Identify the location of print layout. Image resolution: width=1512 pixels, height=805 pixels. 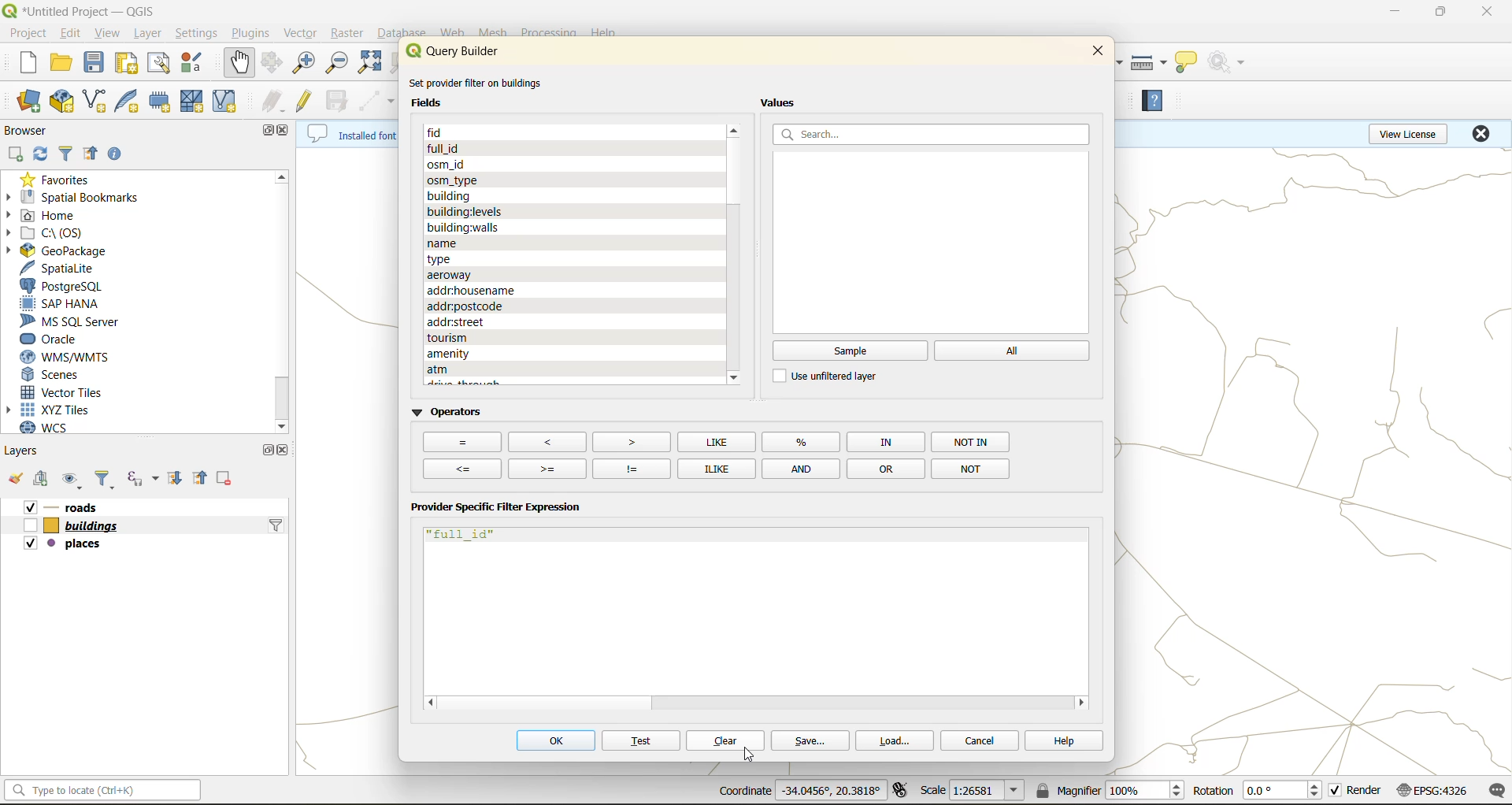
(132, 65).